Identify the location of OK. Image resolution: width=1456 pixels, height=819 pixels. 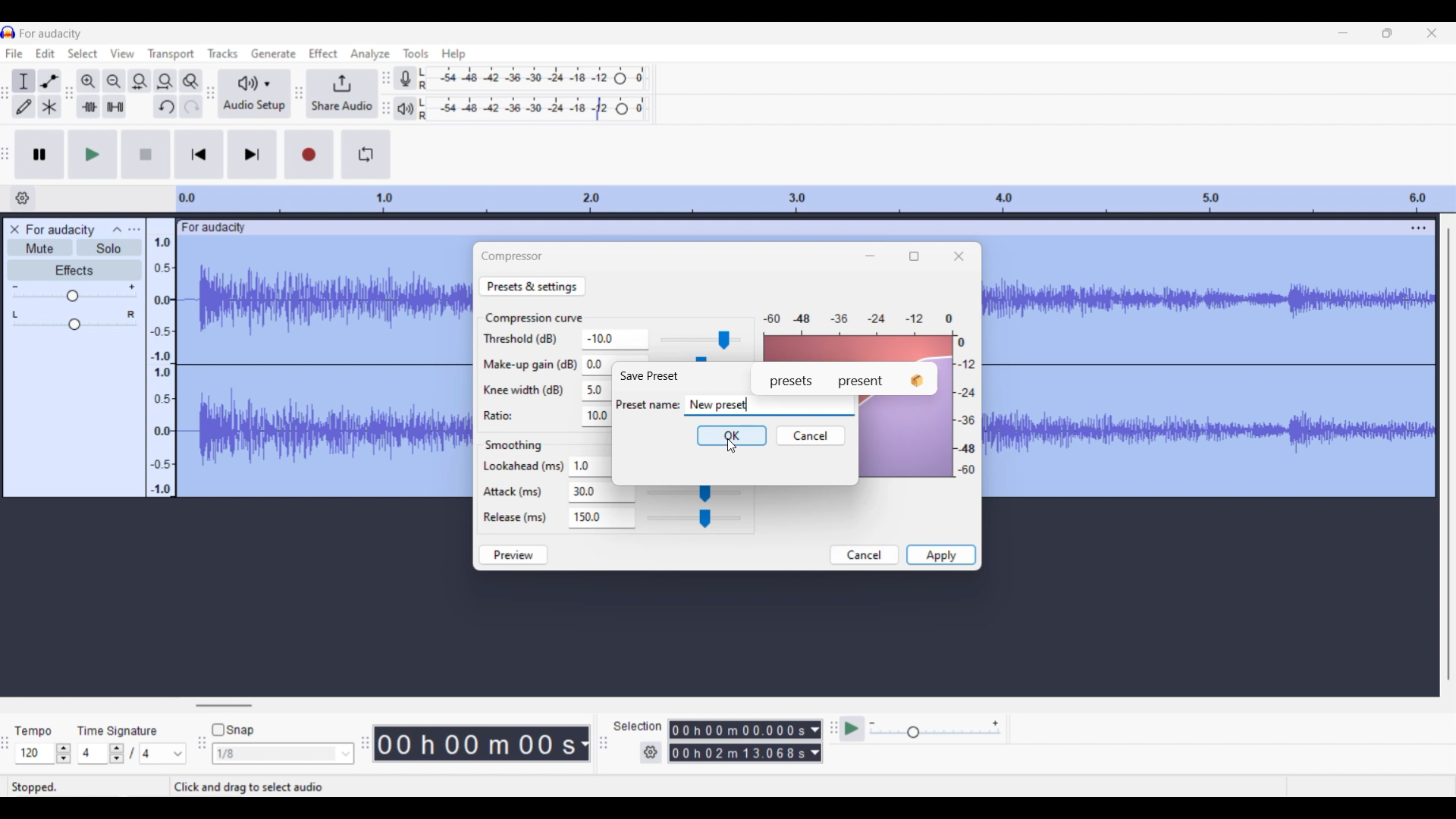
(732, 435).